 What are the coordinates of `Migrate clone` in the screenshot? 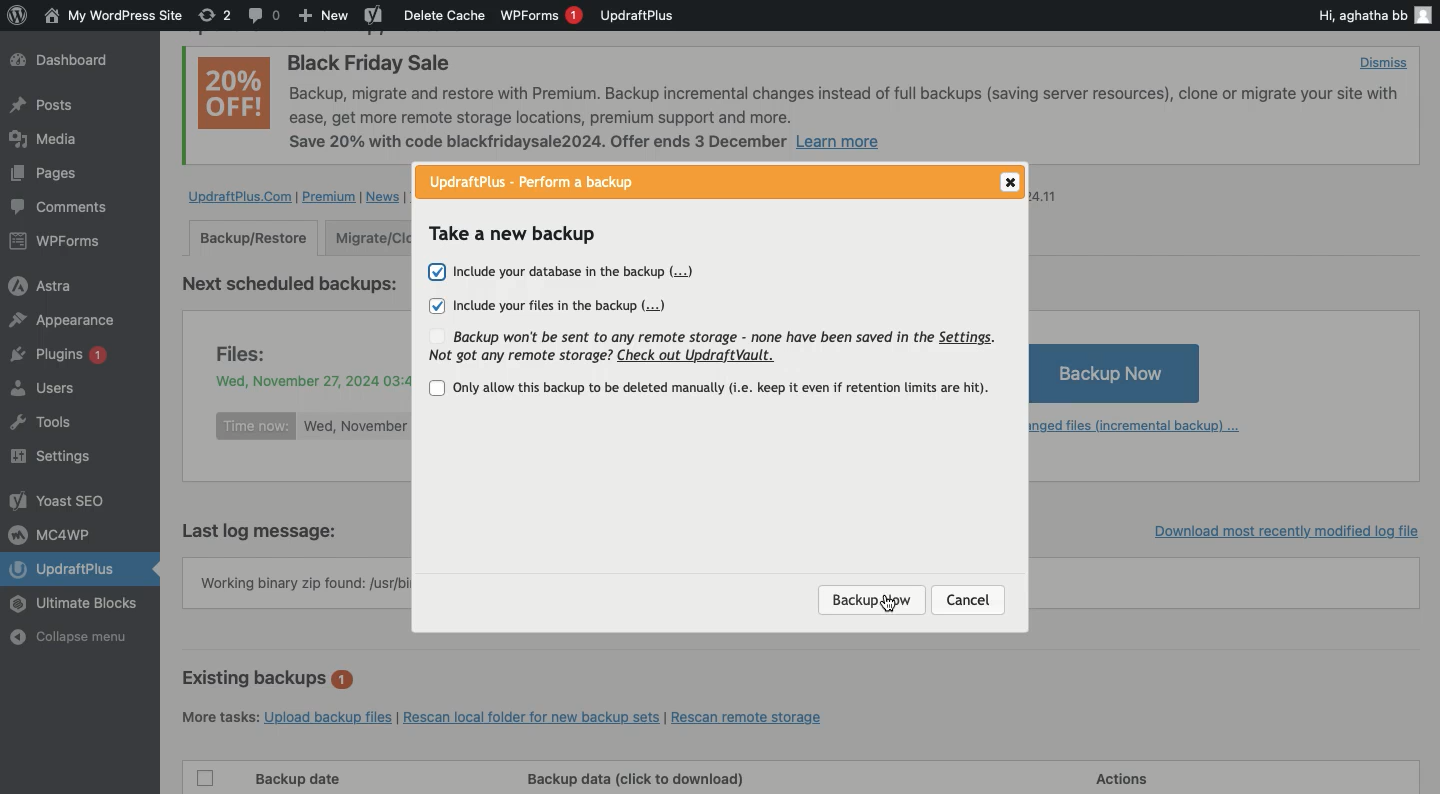 It's located at (368, 239).